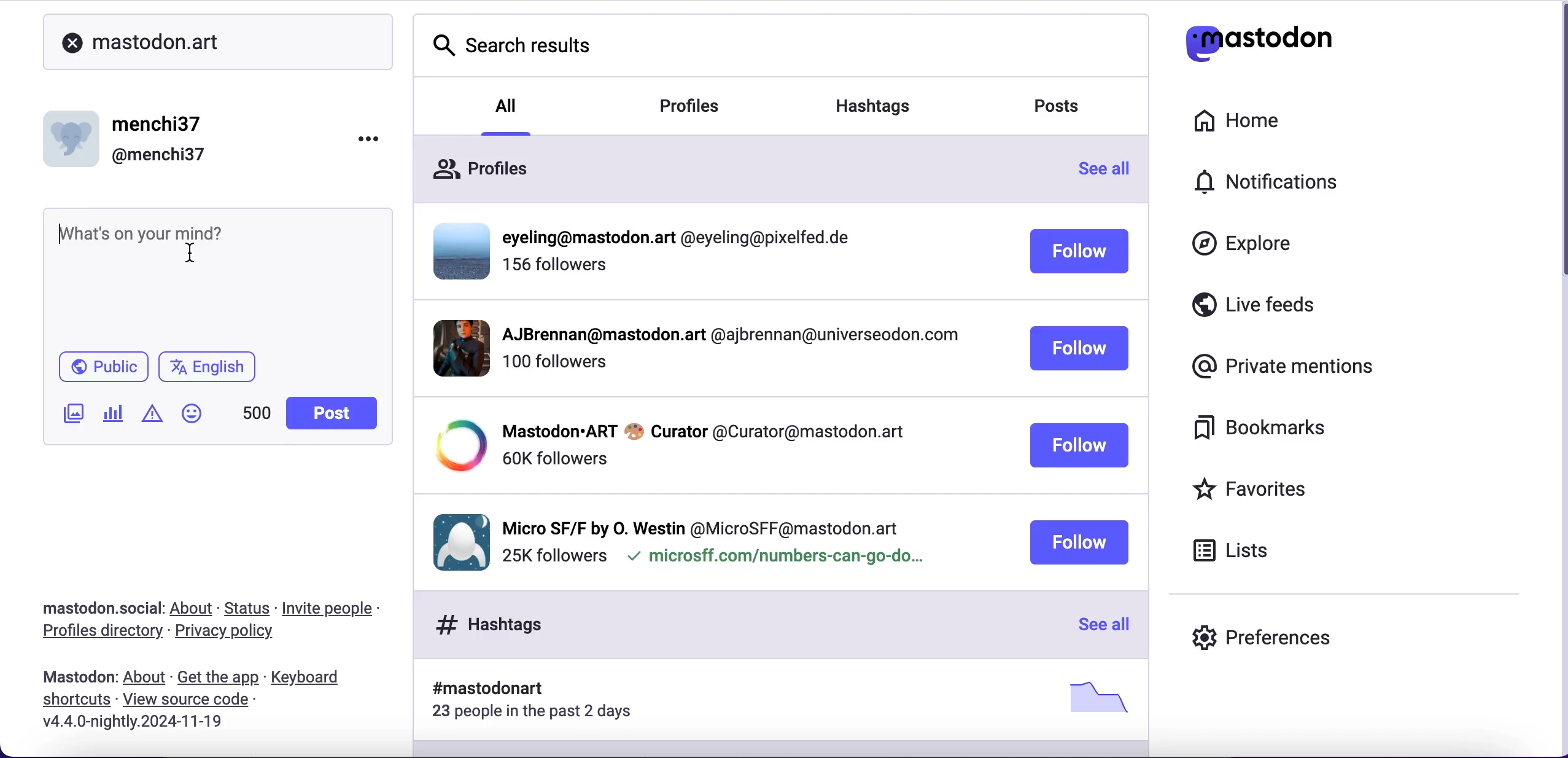 This screenshot has width=1568, height=758. What do you see at coordinates (725, 256) in the screenshot?
I see `user profile` at bounding box center [725, 256].